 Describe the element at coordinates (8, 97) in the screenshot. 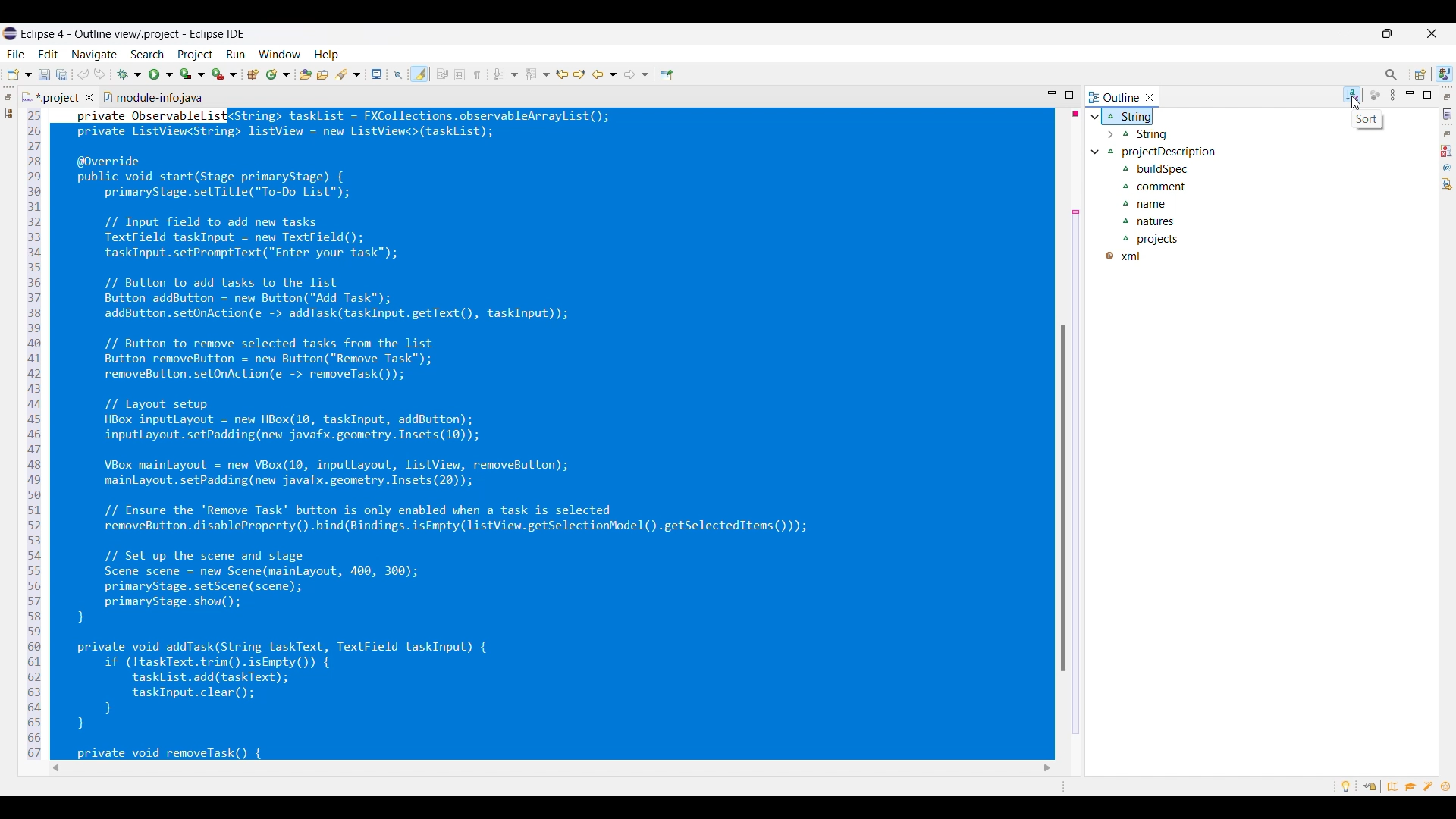

I see `Restore` at that location.